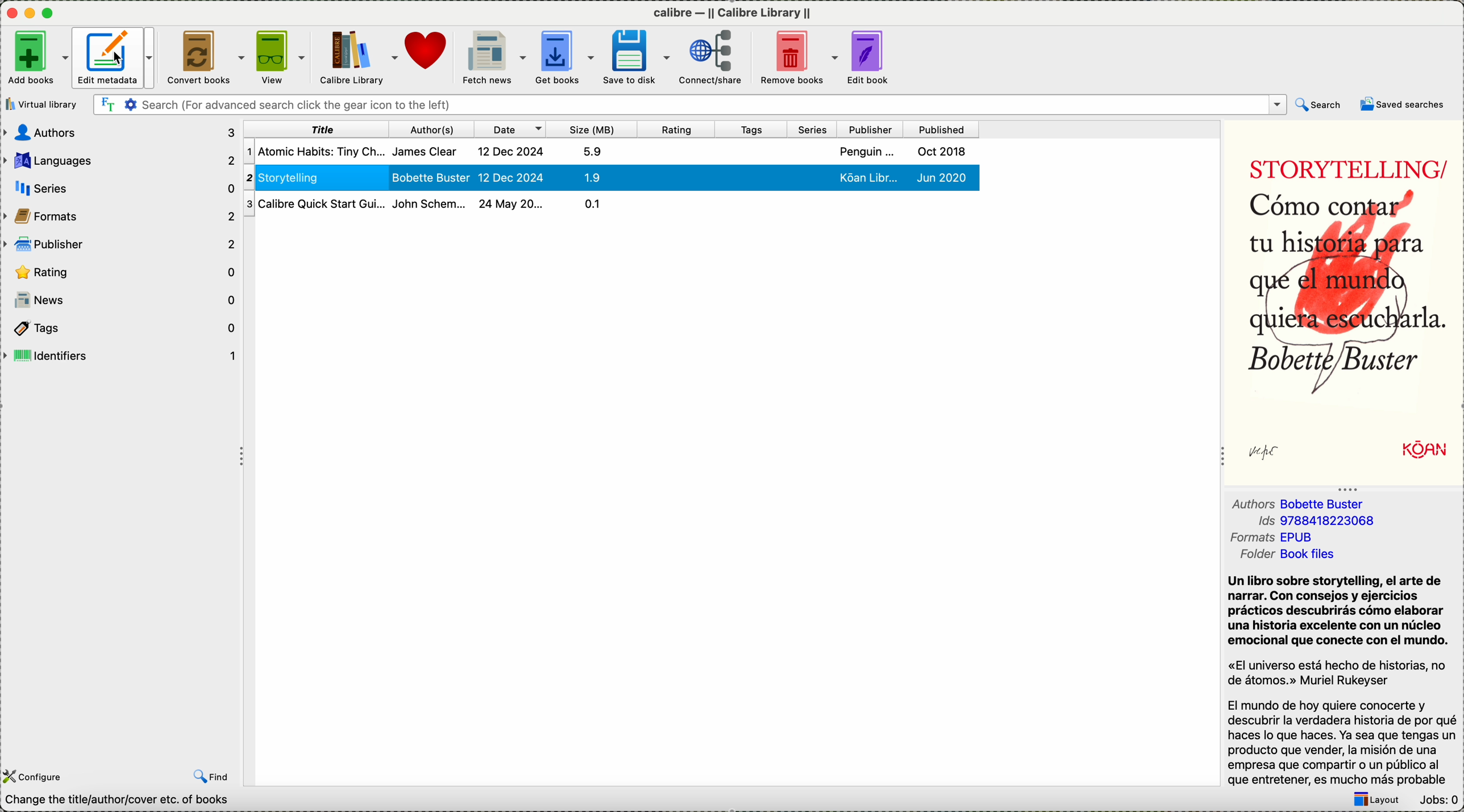  I want to click on convert books, so click(207, 59).